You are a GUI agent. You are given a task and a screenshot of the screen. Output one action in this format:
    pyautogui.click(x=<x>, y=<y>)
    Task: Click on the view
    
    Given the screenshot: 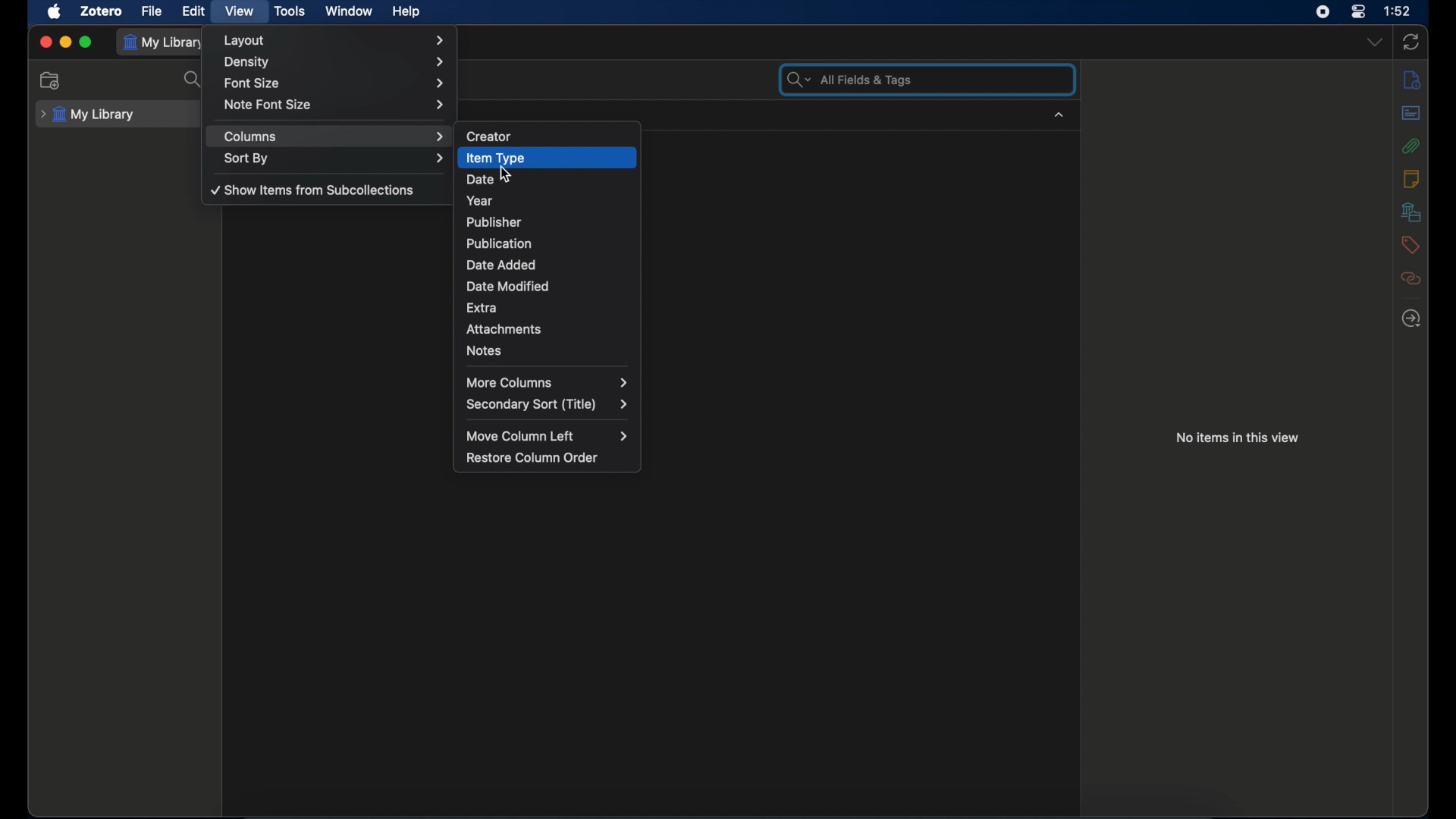 What is the action you would take?
    pyautogui.click(x=240, y=12)
    